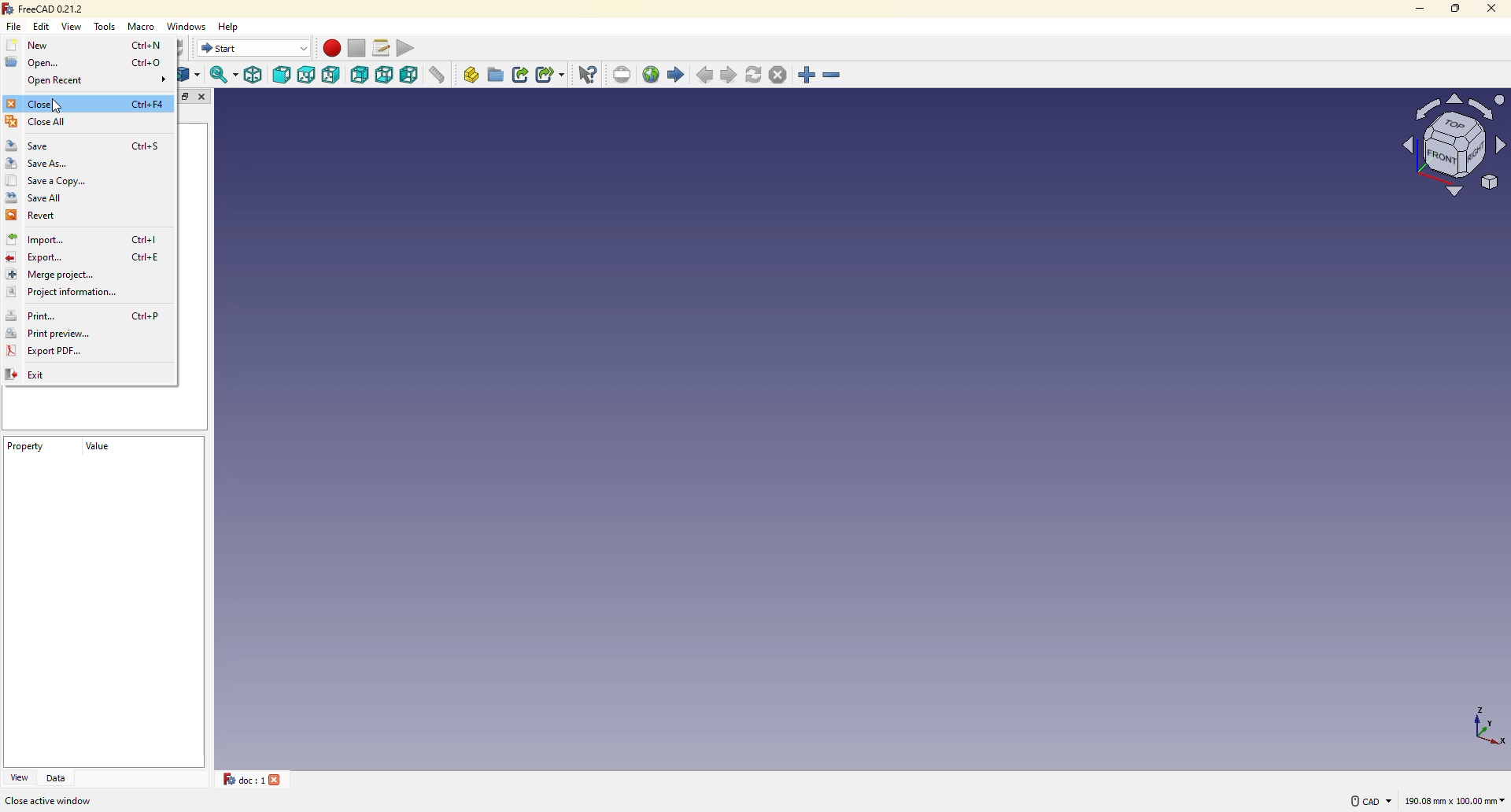  What do you see at coordinates (411, 46) in the screenshot?
I see `execute macros` at bounding box center [411, 46].